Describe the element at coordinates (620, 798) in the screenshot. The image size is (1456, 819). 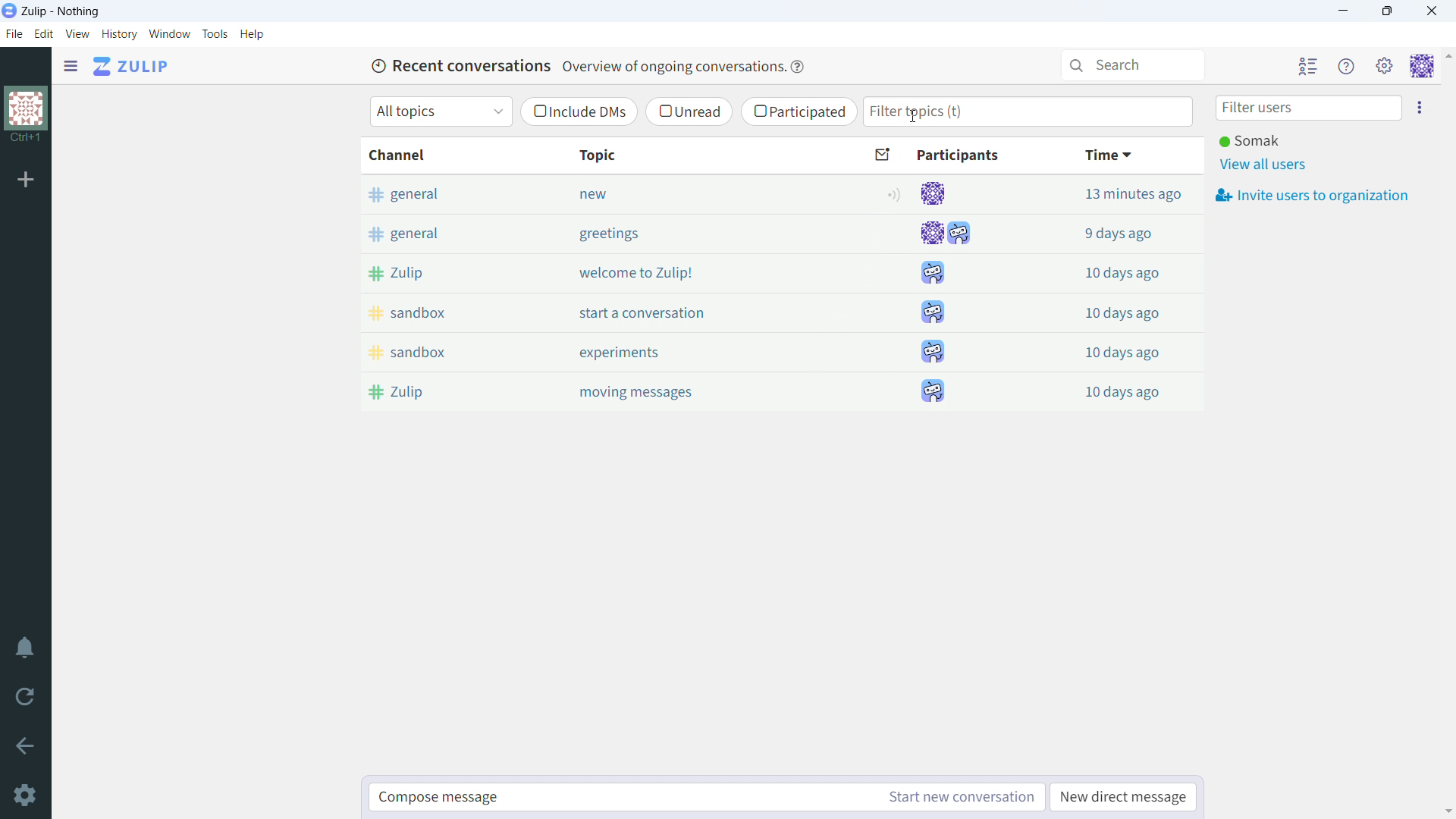
I see `compose message` at that location.